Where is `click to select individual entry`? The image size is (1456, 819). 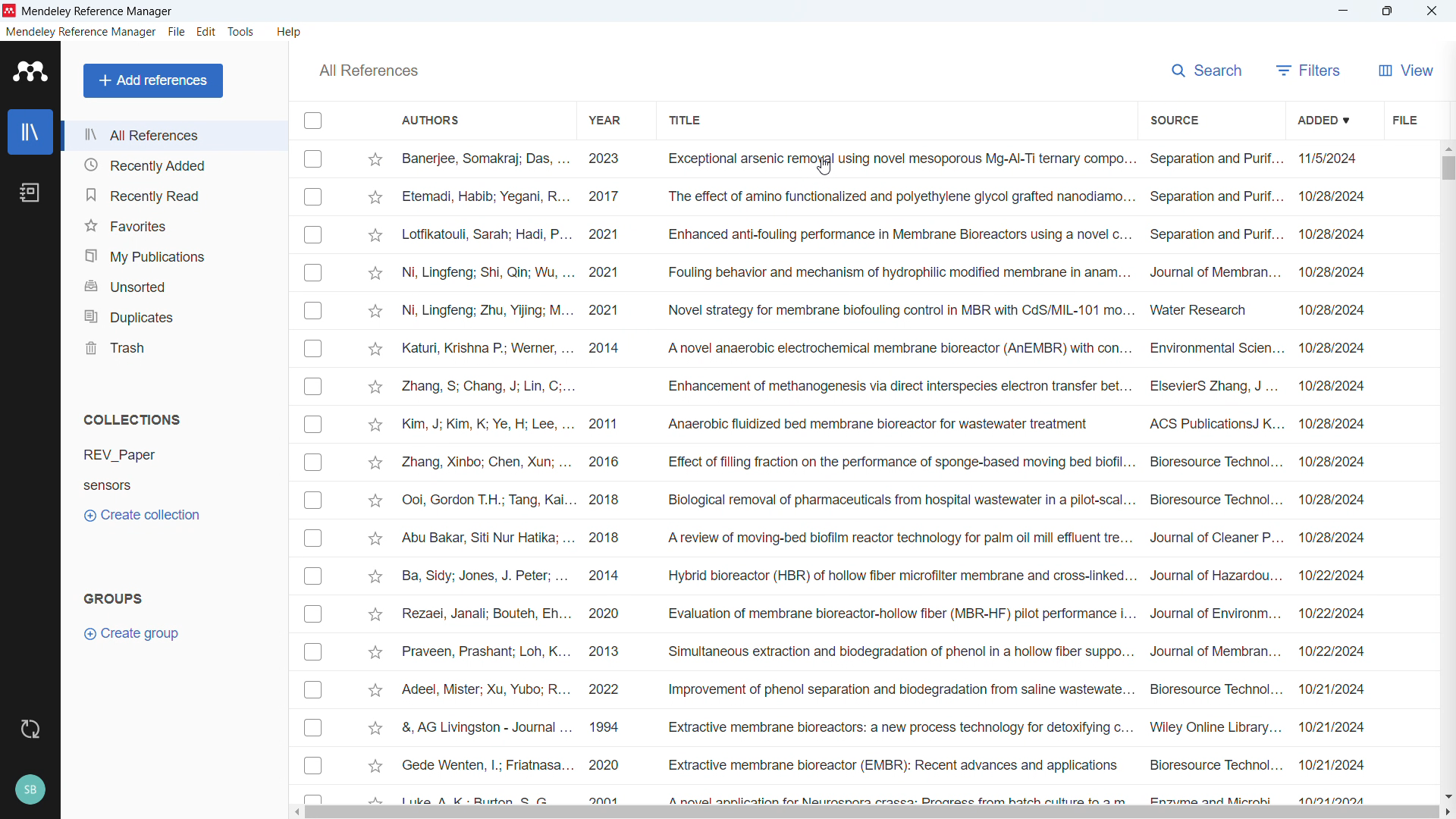 click to select individual entry is located at coordinates (315, 728).